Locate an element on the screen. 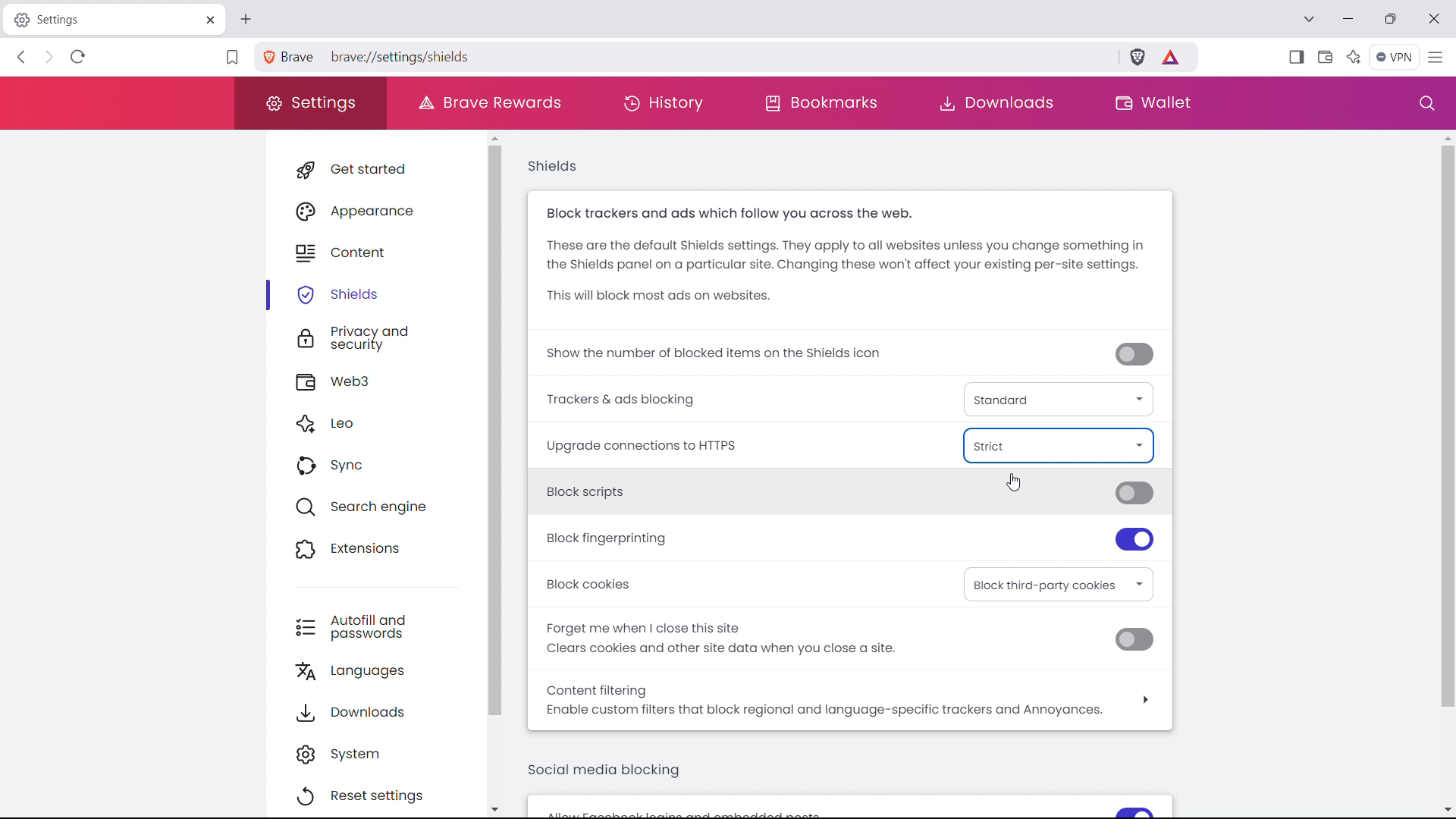  scroll down is located at coordinates (1445, 806).